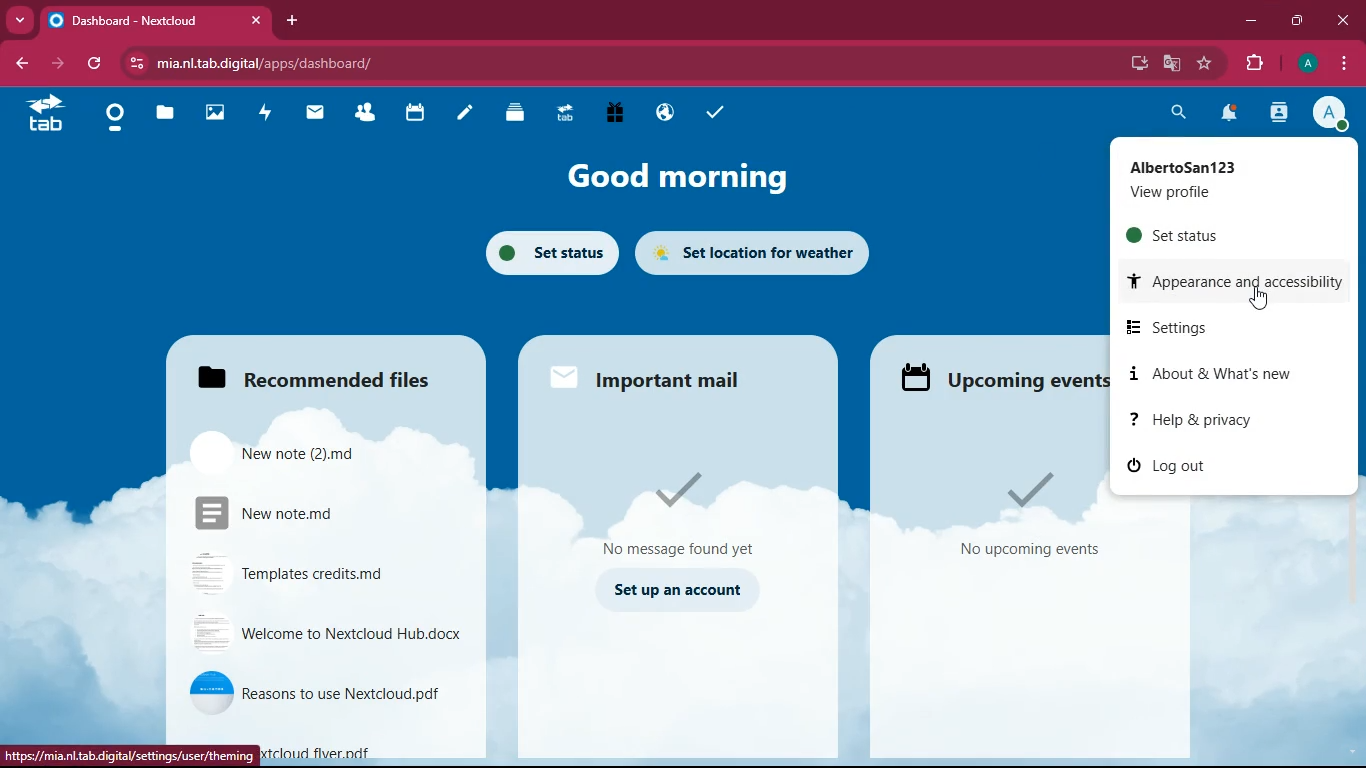 This screenshot has width=1366, height=768. I want to click on url, so click(298, 62).